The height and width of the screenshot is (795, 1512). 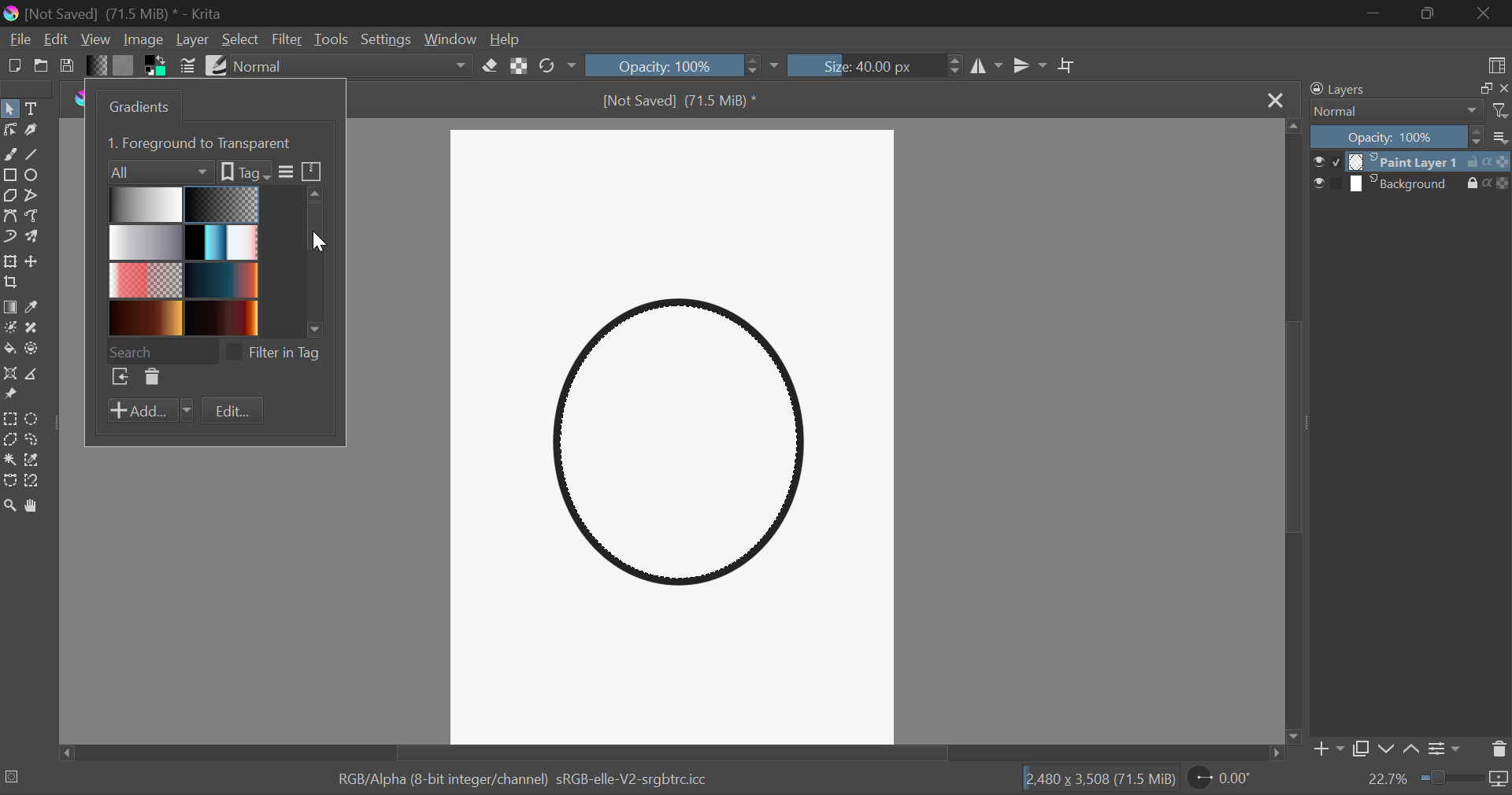 What do you see at coordinates (36, 176) in the screenshot?
I see `Elipses` at bounding box center [36, 176].